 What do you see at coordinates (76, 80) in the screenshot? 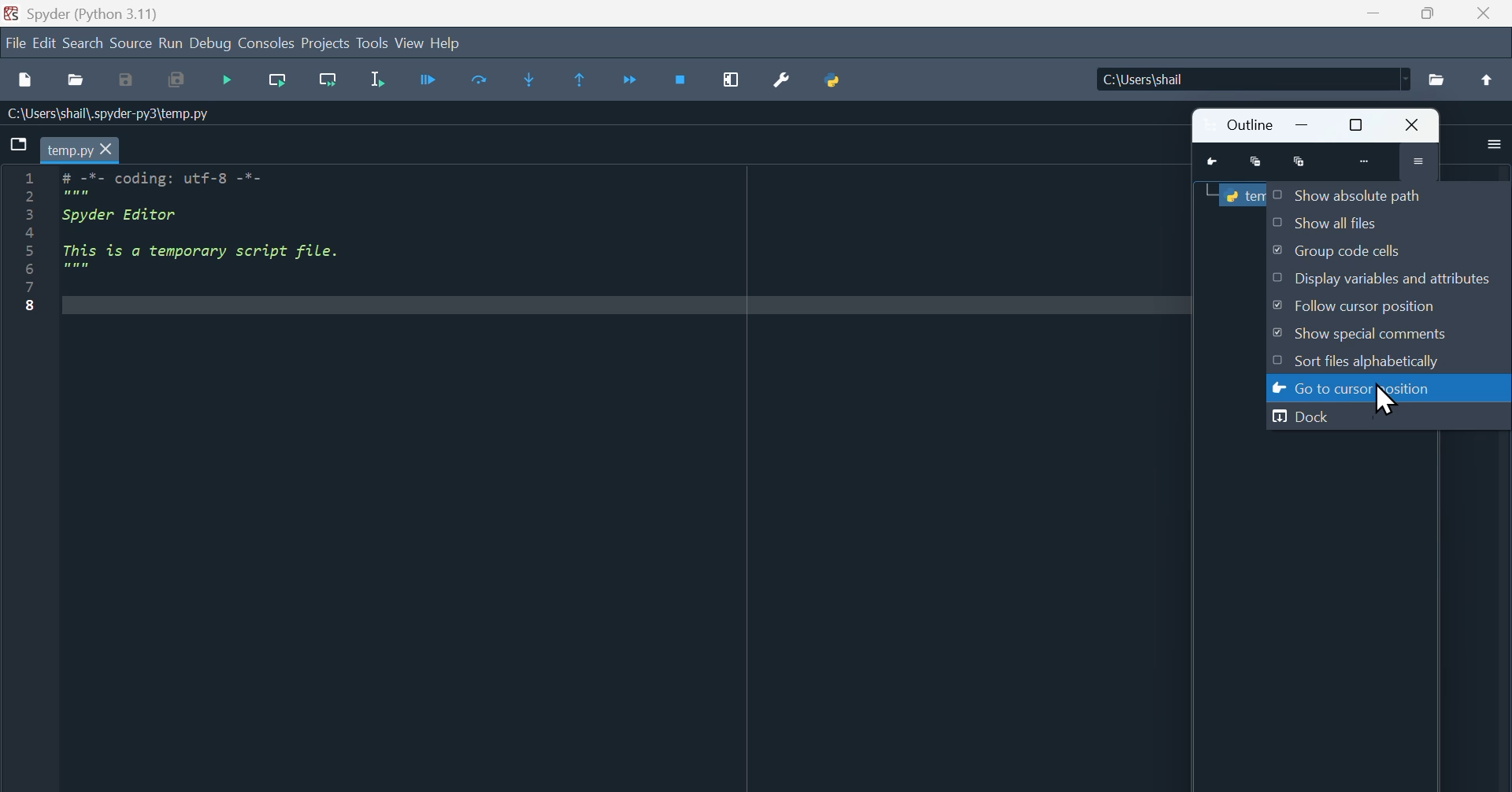
I see `Open file` at bounding box center [76, 80].